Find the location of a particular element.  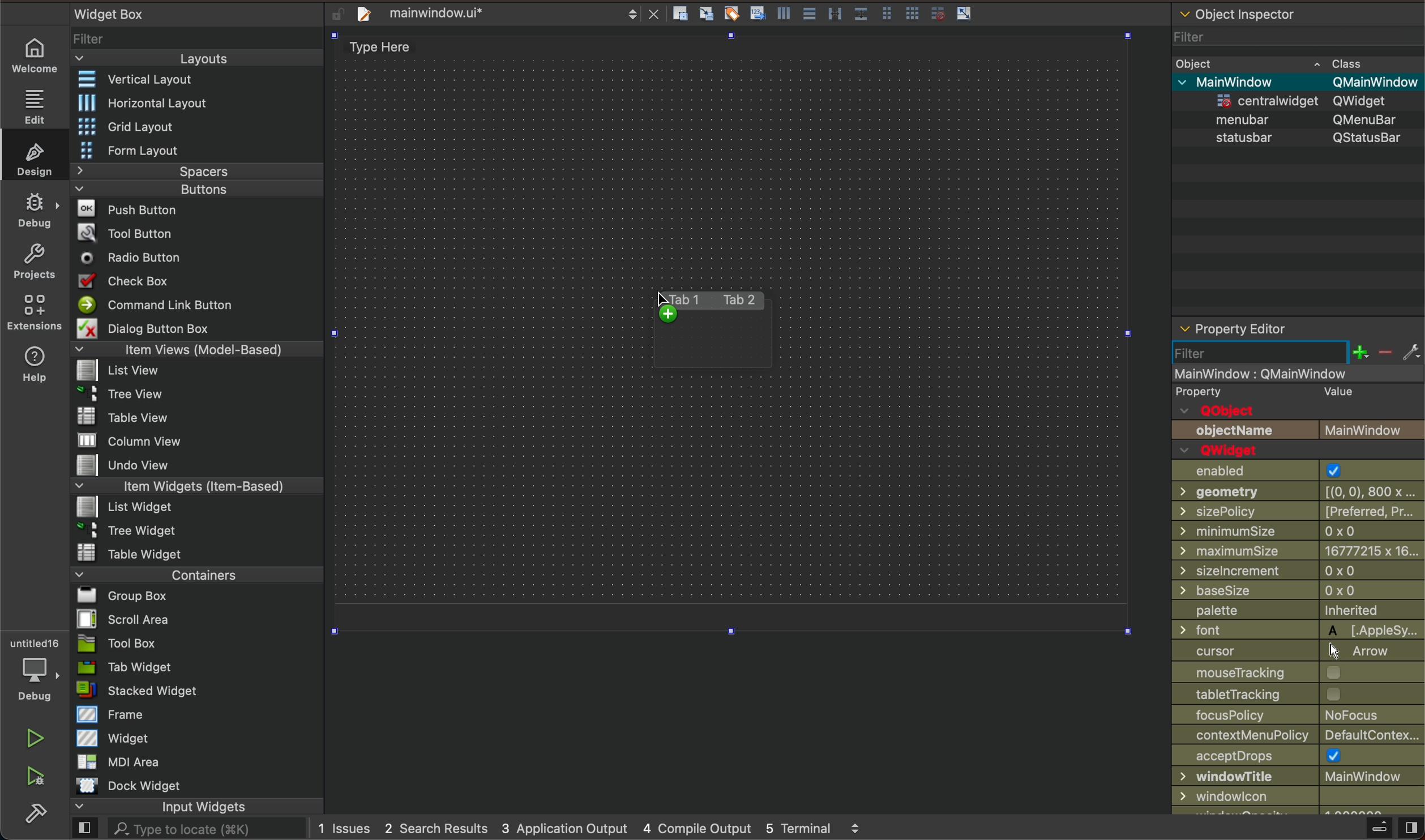

window title is located at coordinates (1299, 777).